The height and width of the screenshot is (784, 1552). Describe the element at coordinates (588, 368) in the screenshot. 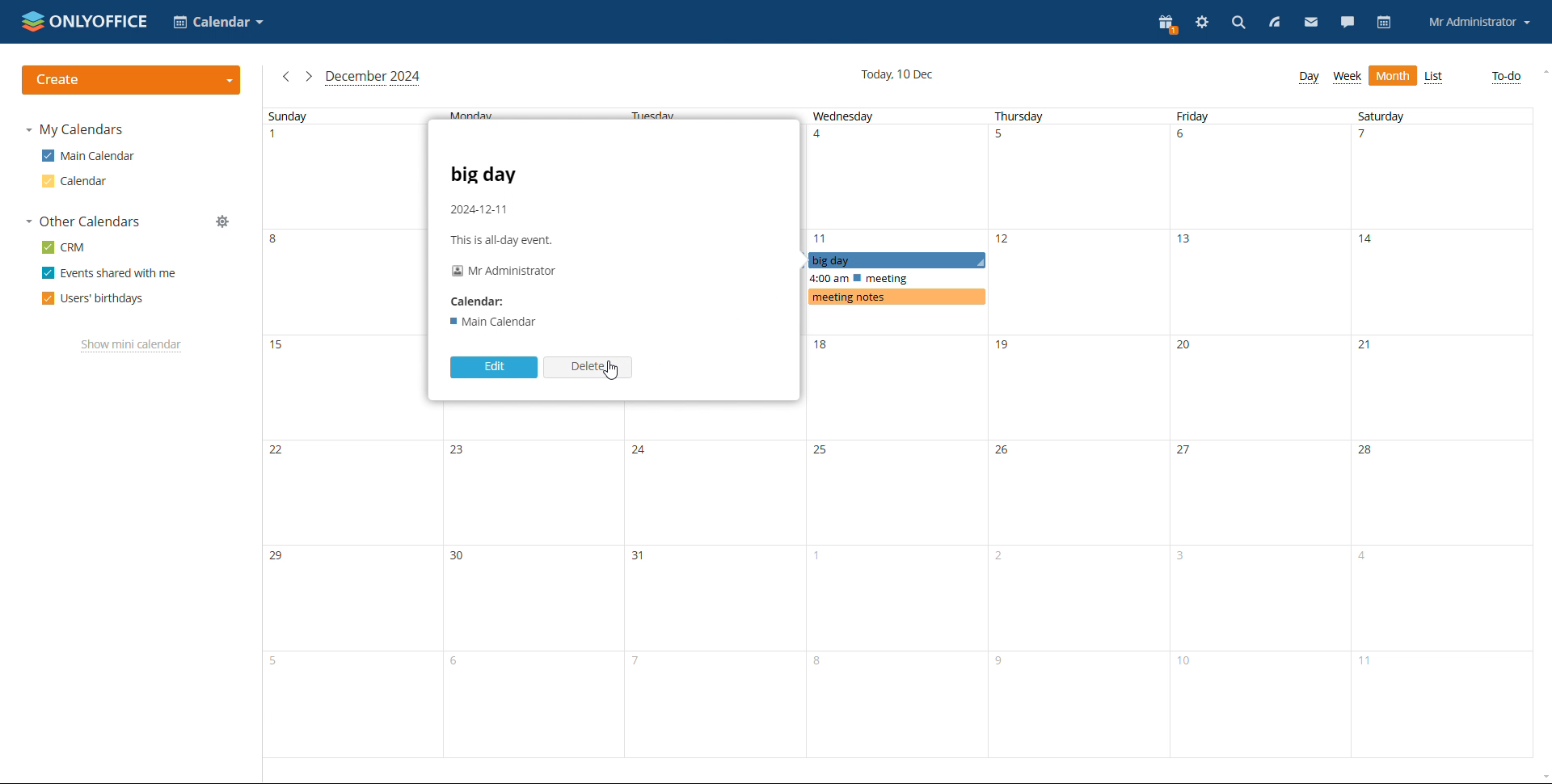

I see `delete` at that location.